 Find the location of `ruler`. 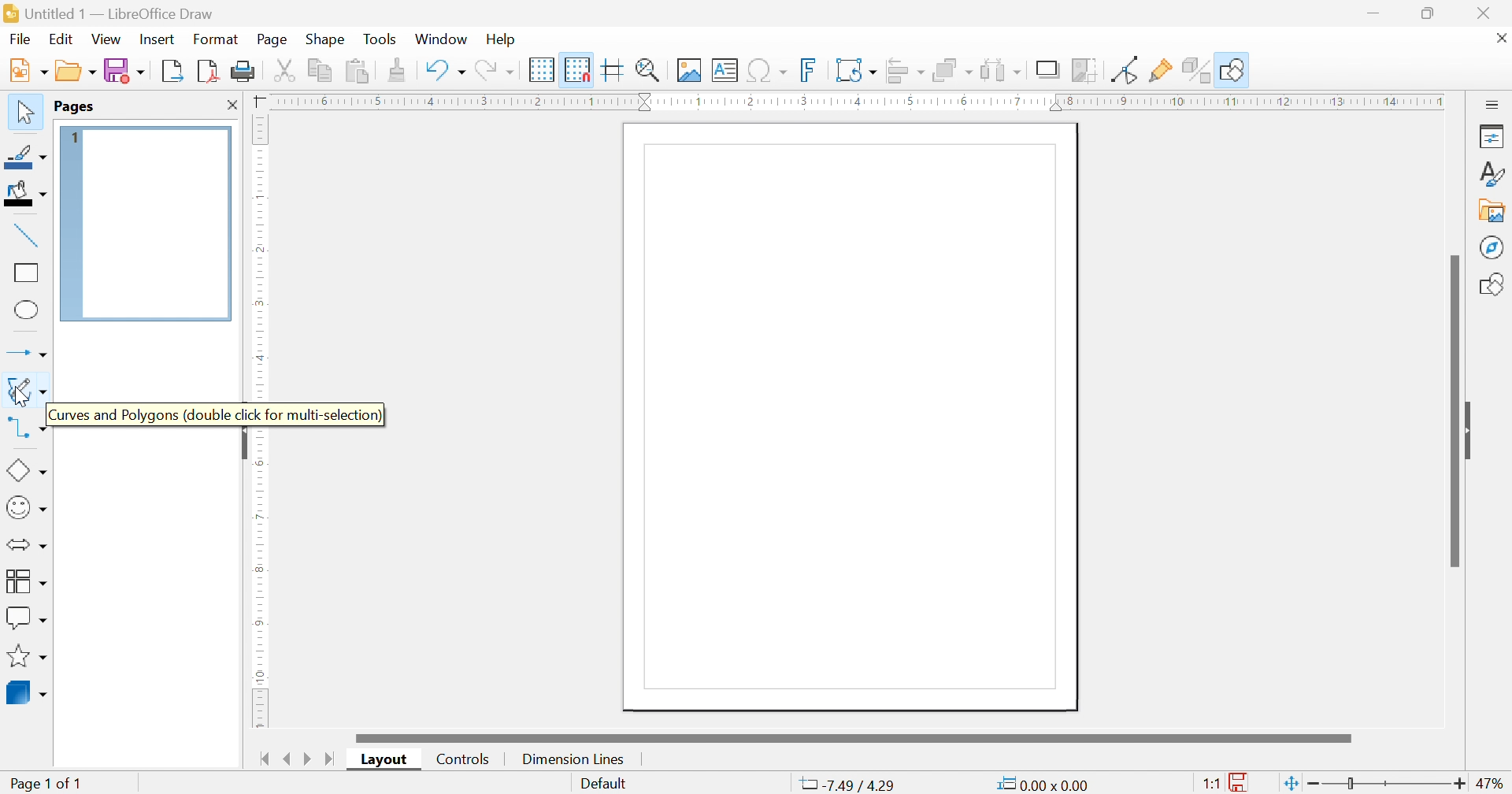

ruler is located at coordinates (260, 257).